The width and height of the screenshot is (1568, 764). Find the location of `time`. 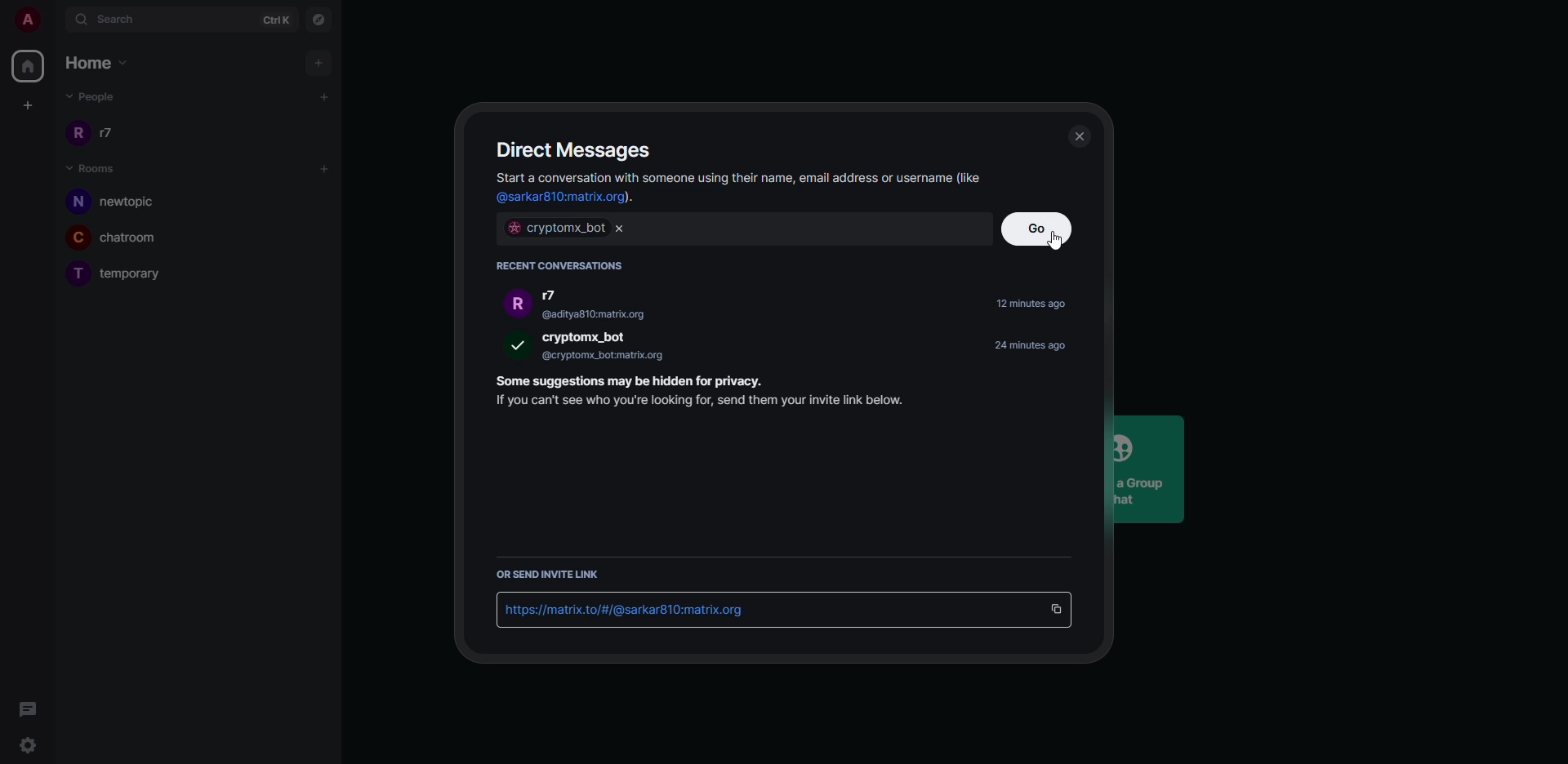

time is located at coordinates (1033, 304).